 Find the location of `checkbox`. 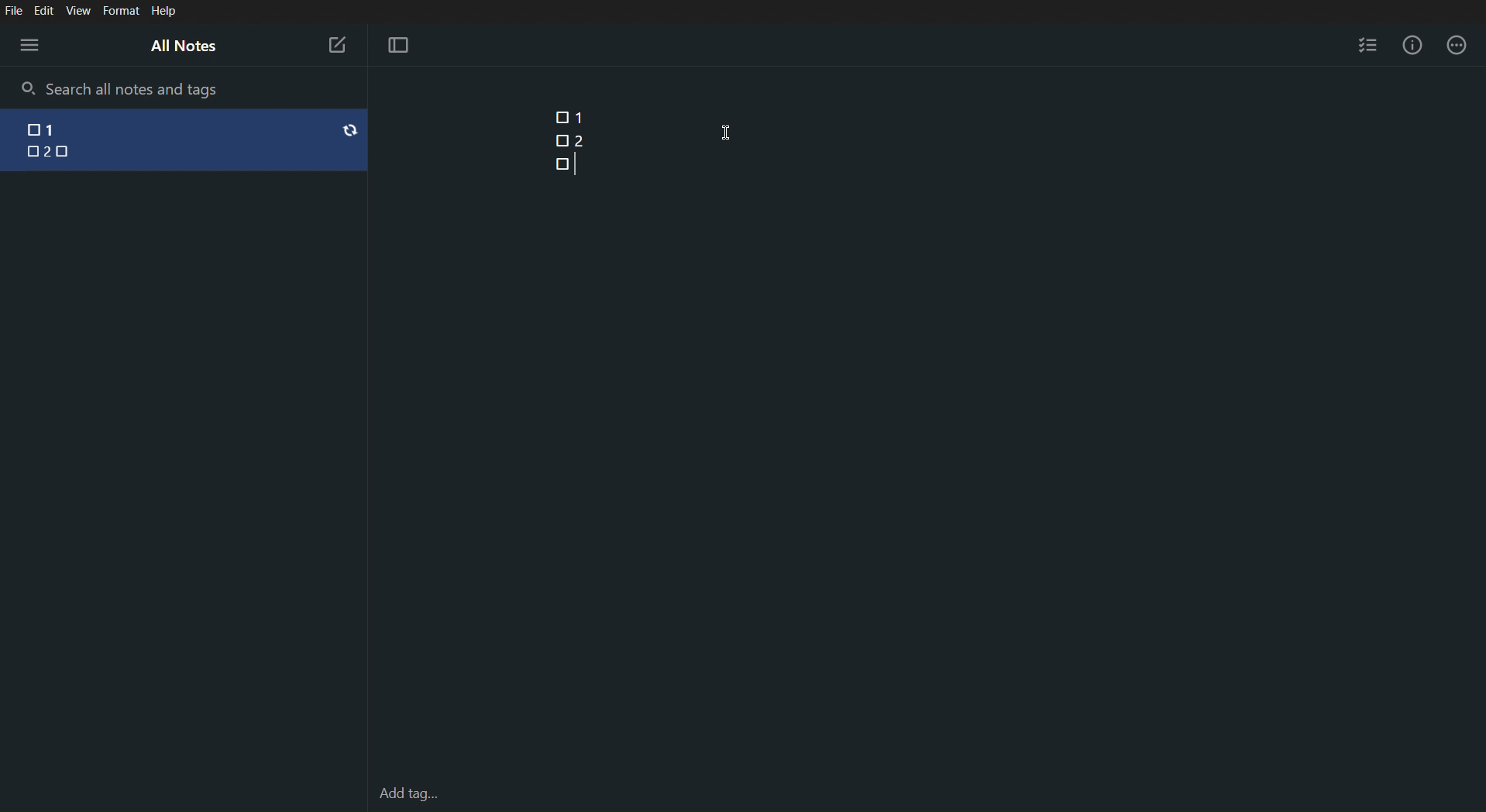

checkbox is located at coordinates (26, 151).